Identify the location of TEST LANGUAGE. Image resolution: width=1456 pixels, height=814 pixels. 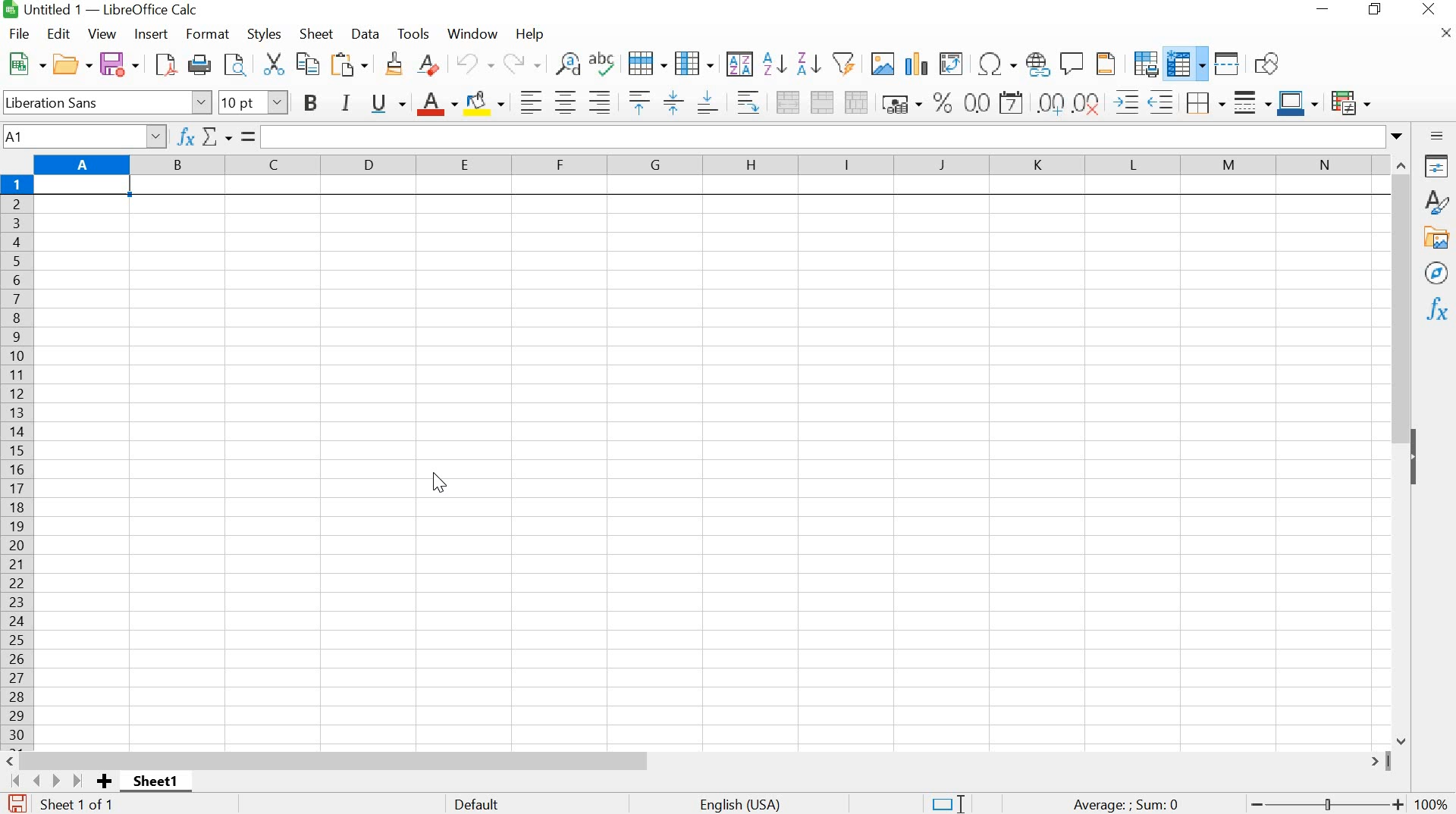
(749, 803).